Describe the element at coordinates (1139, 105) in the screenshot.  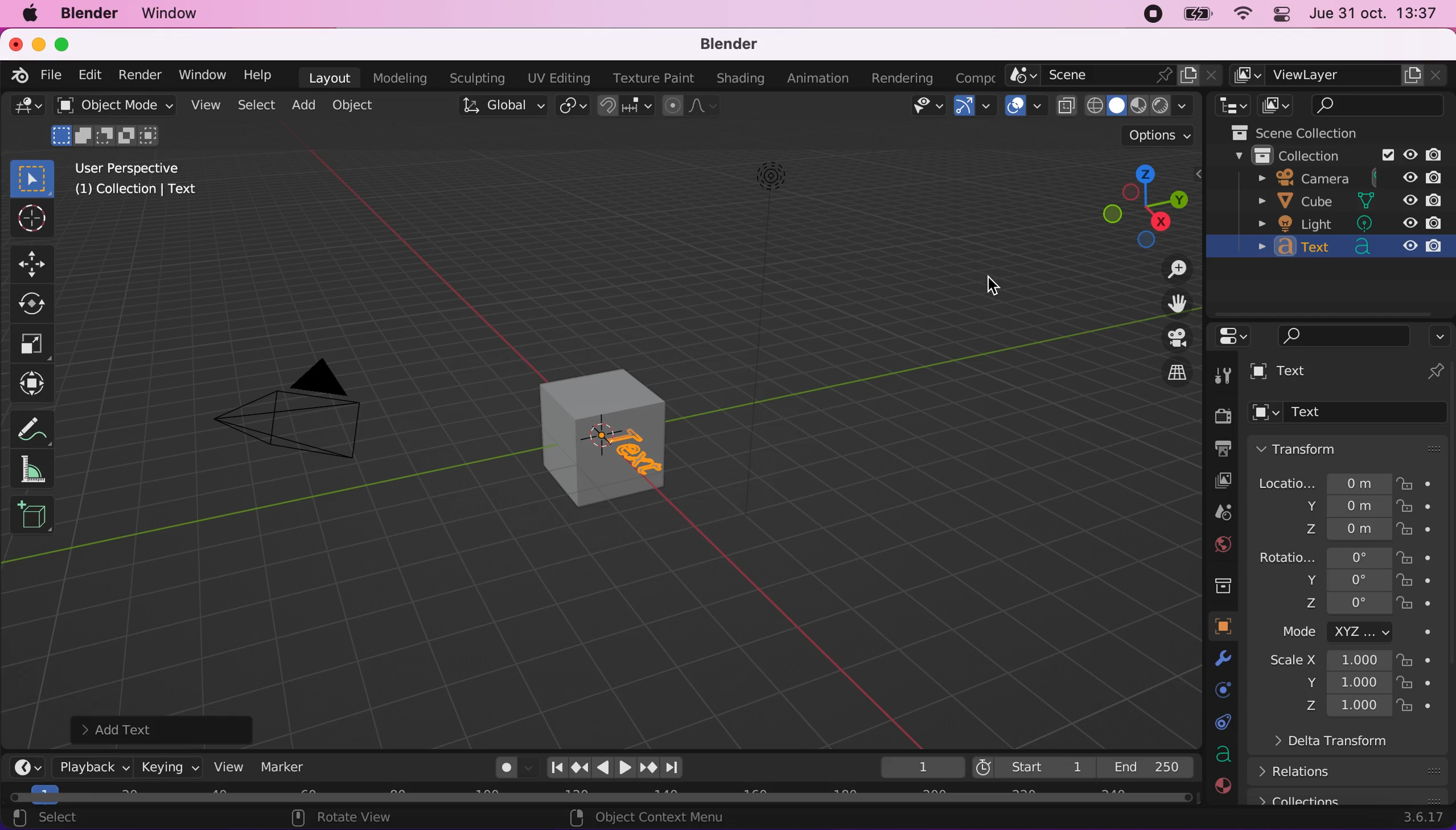
I see `shading` at that location.